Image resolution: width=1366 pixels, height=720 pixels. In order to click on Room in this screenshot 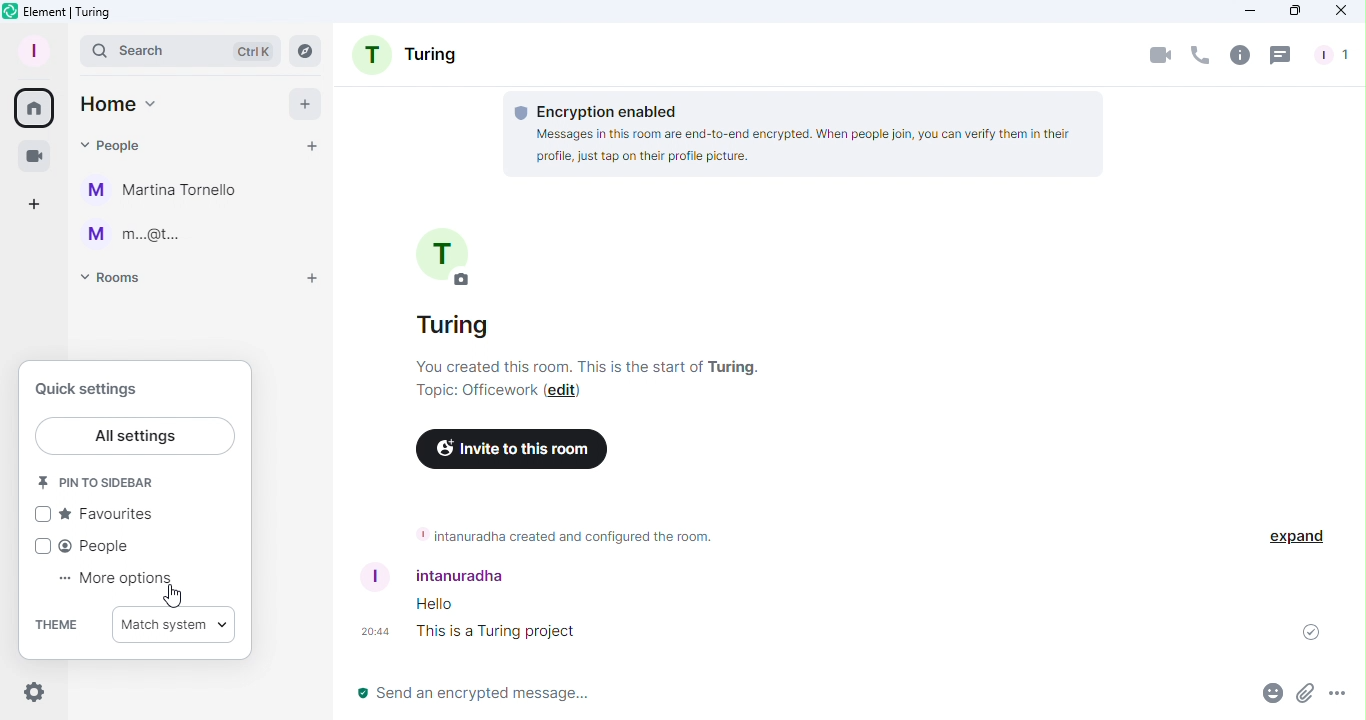, I will do `click(409, 57)`.